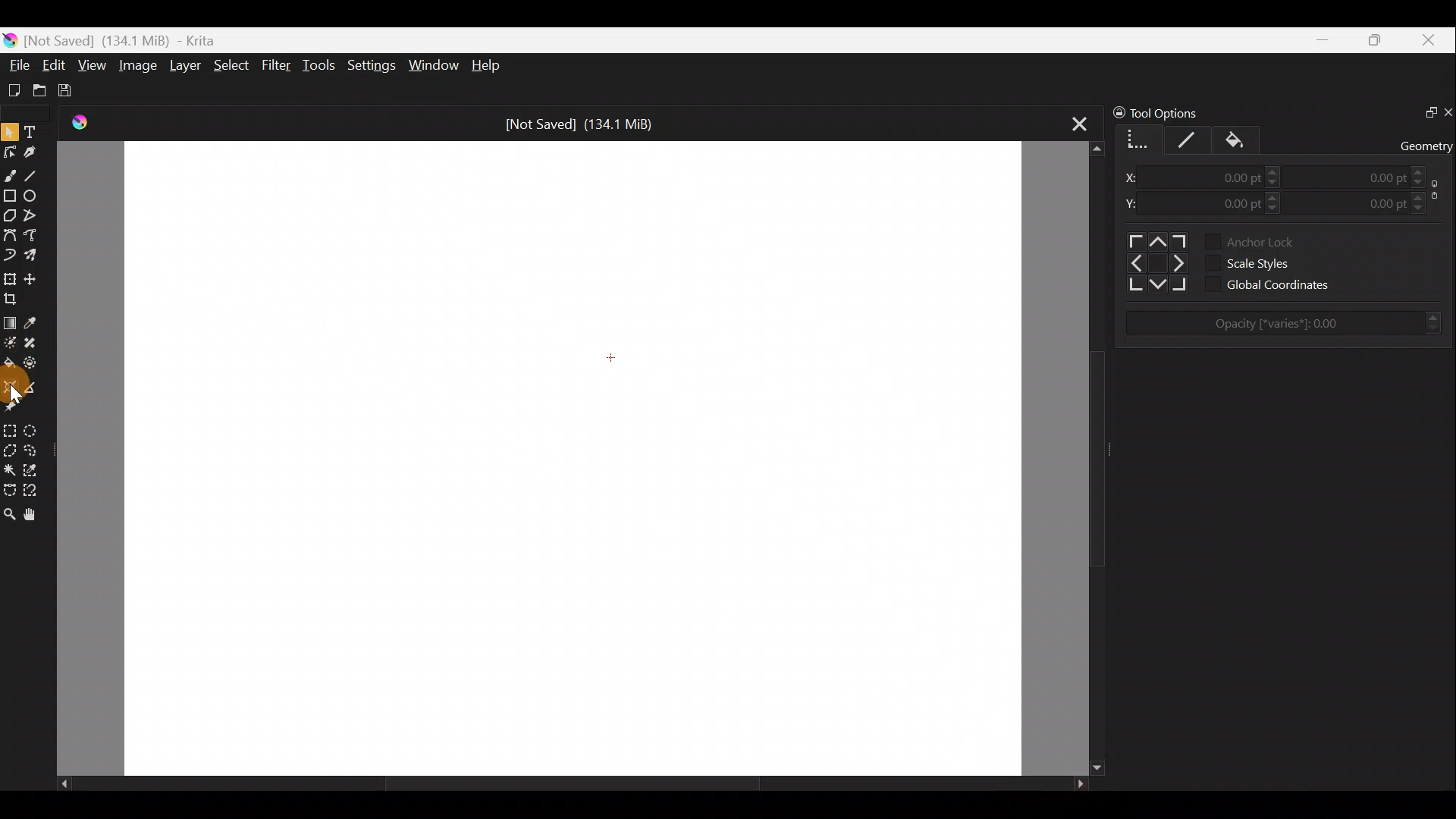 The height and width of the screenshot is (819, 1456). I want to click on 0.00pt, so click(1373, 173).